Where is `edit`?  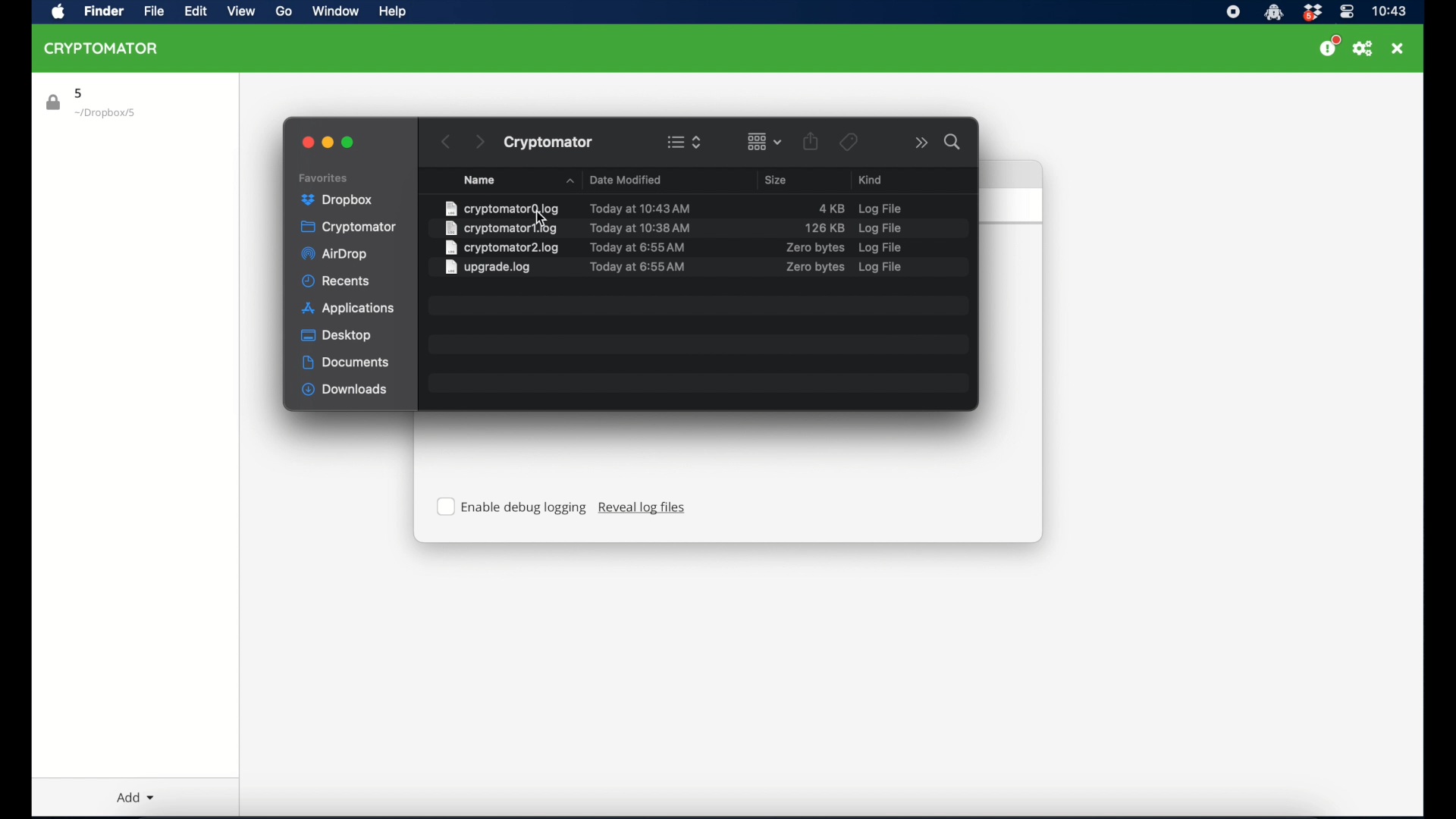 edit is located at coordinates (195, 13).